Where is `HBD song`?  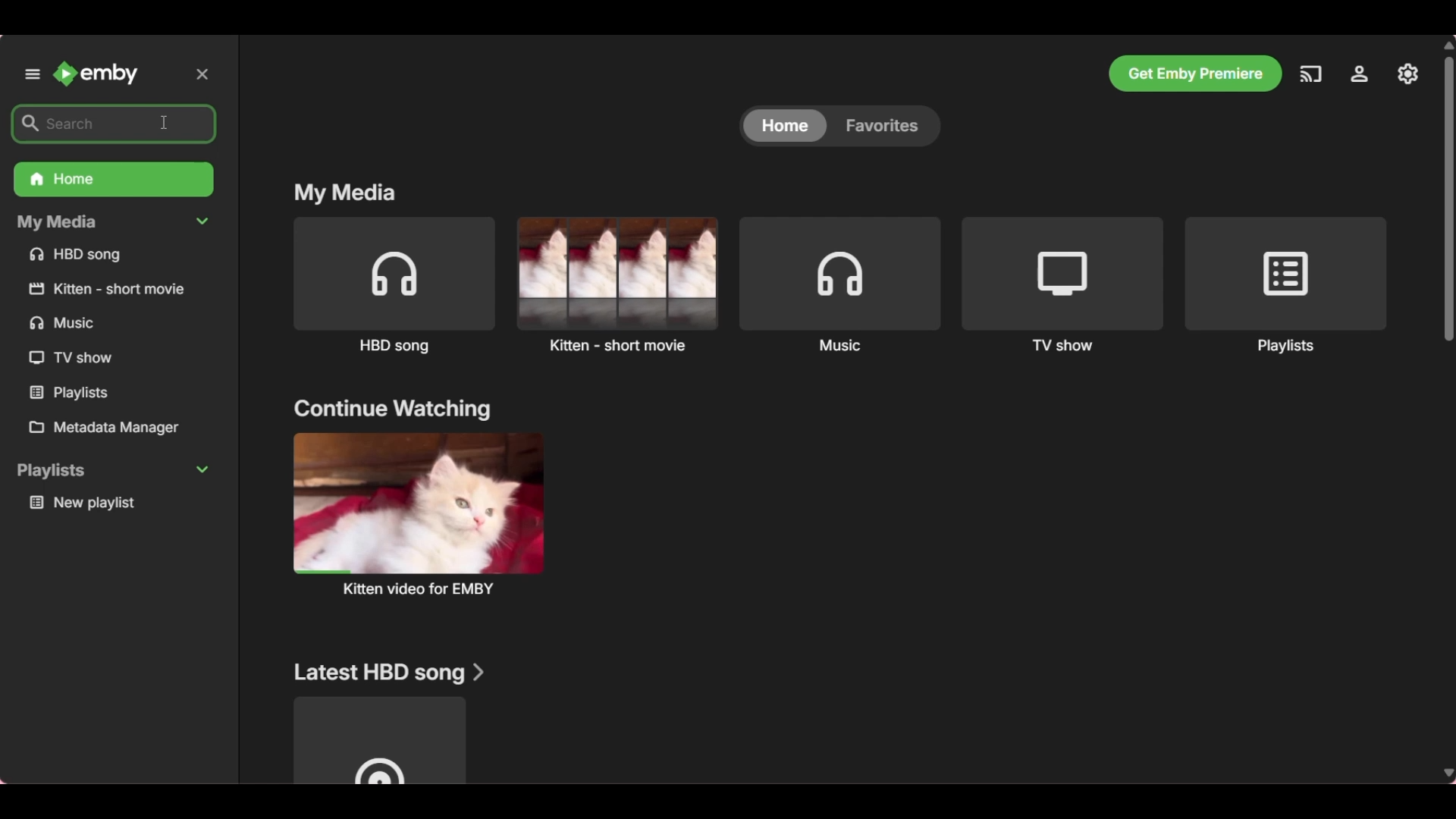
HBD song is located at coordinates (394, 287).